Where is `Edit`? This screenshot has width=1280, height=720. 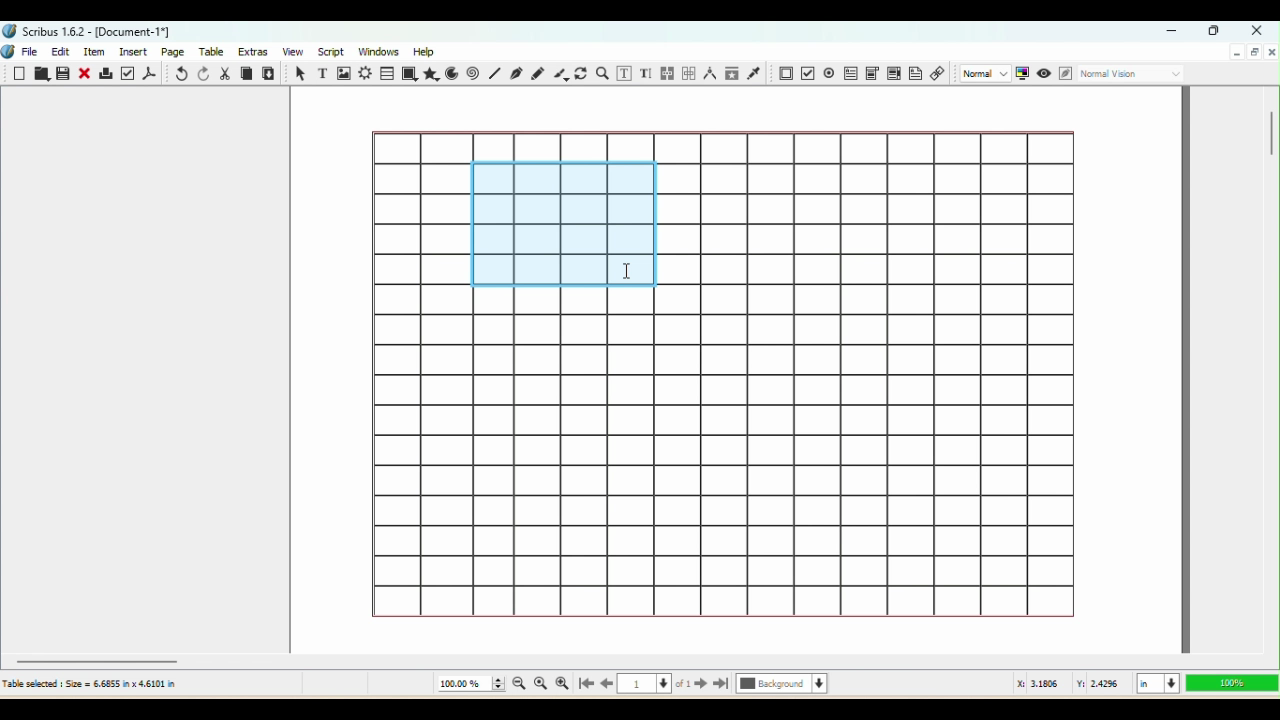
Edit is located at coordinates (60, 52).